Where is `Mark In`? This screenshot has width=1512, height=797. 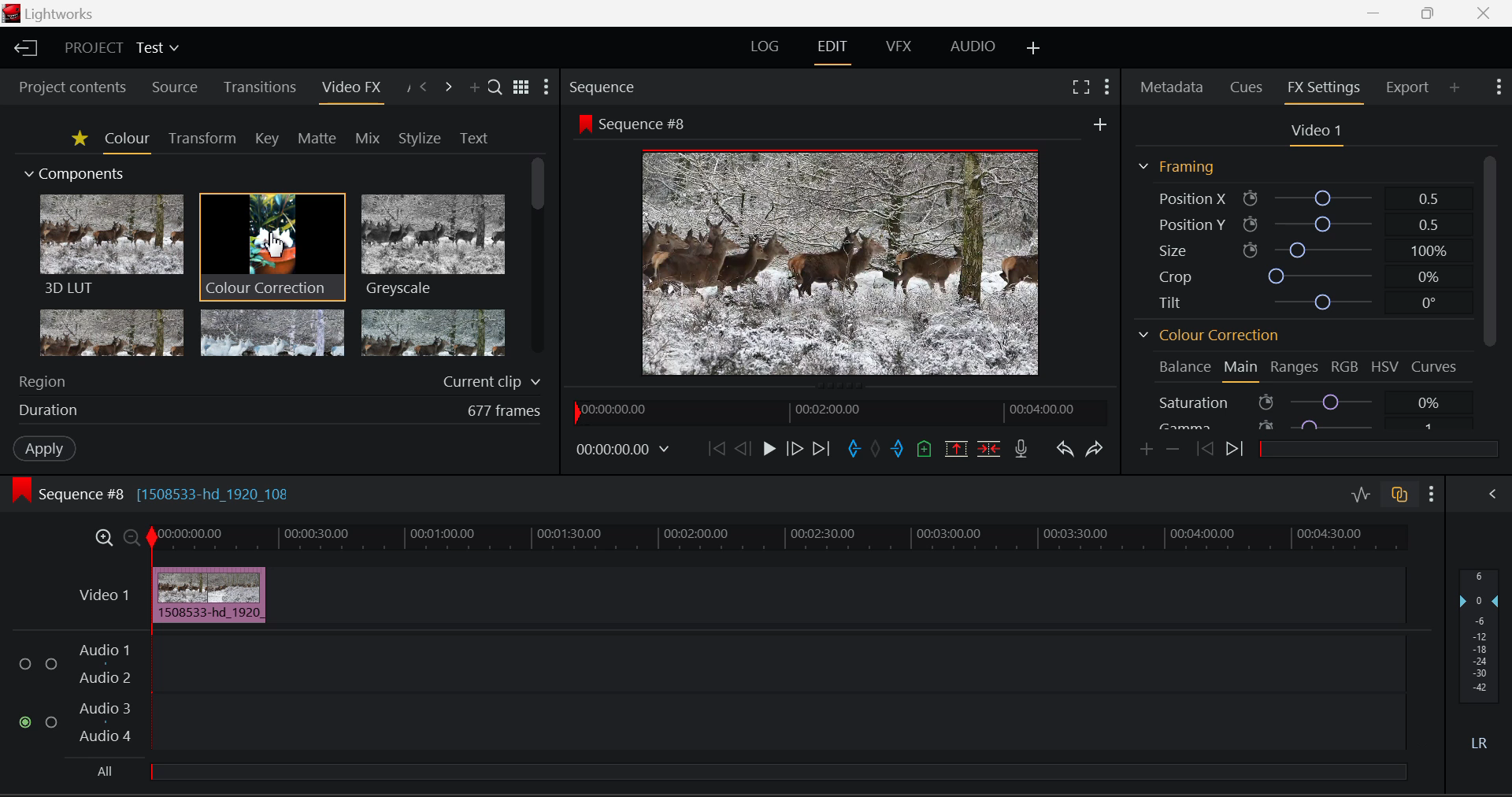
Mark In is located at coordinates (854, 451).